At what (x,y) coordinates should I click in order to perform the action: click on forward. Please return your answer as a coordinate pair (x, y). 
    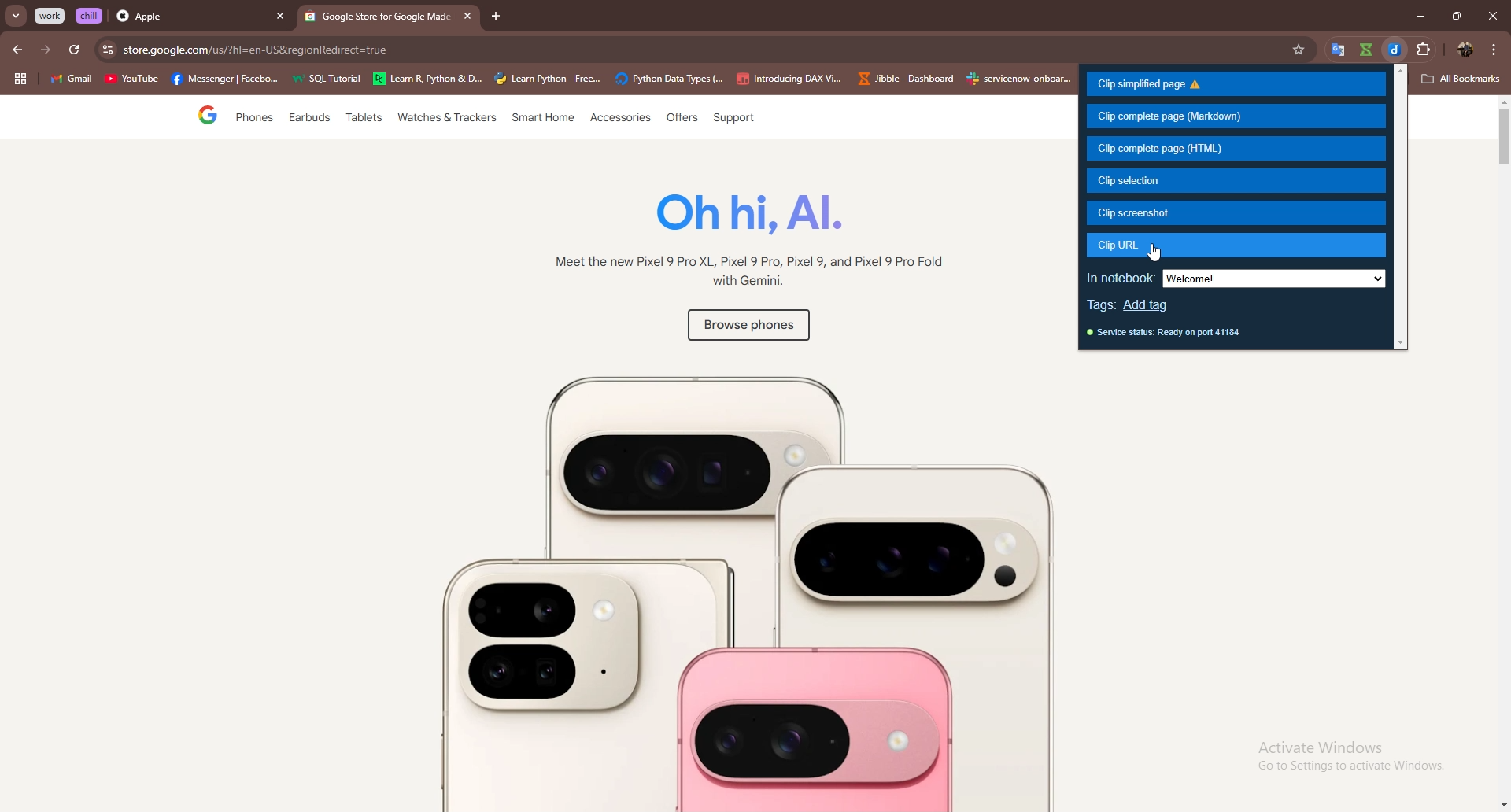
    Looking at the image, I should click on (46, 50).